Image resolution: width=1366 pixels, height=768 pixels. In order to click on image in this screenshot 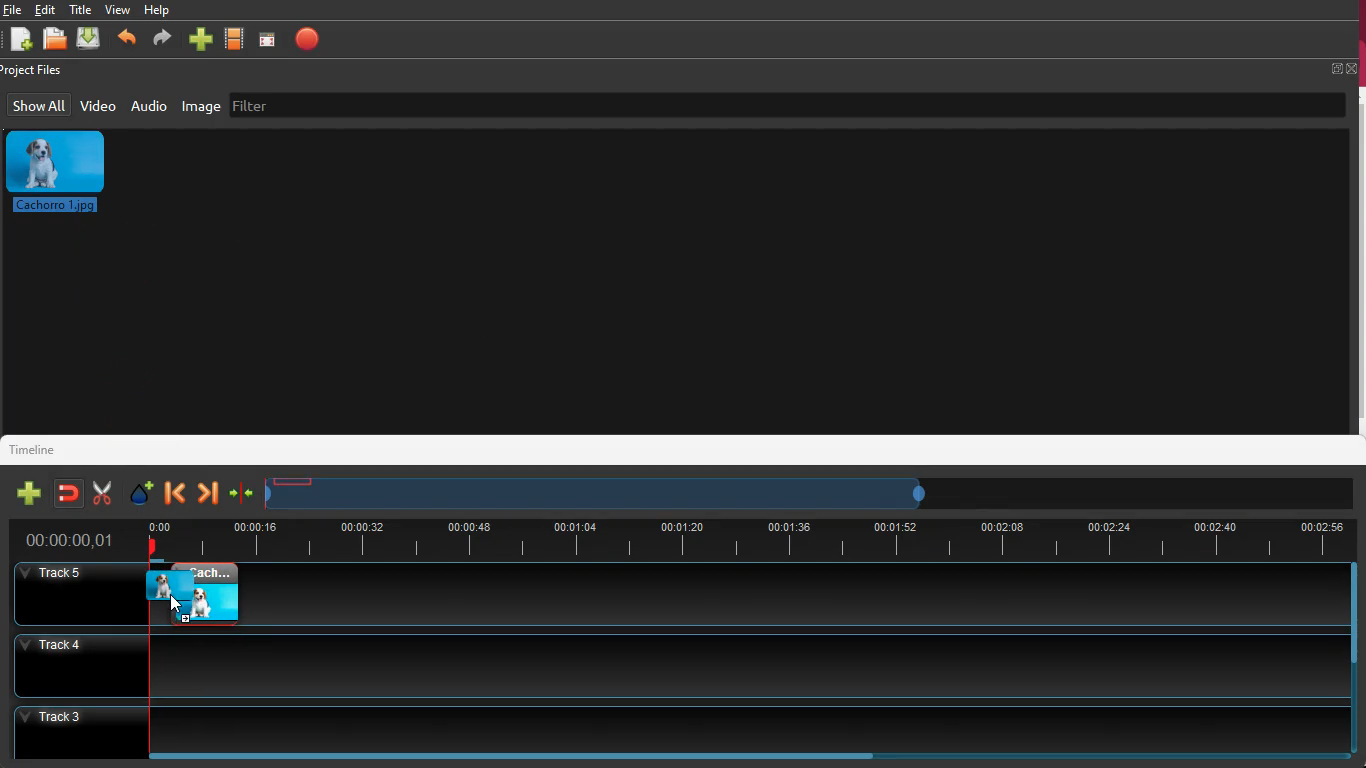, I will do `click(64, 172)`.